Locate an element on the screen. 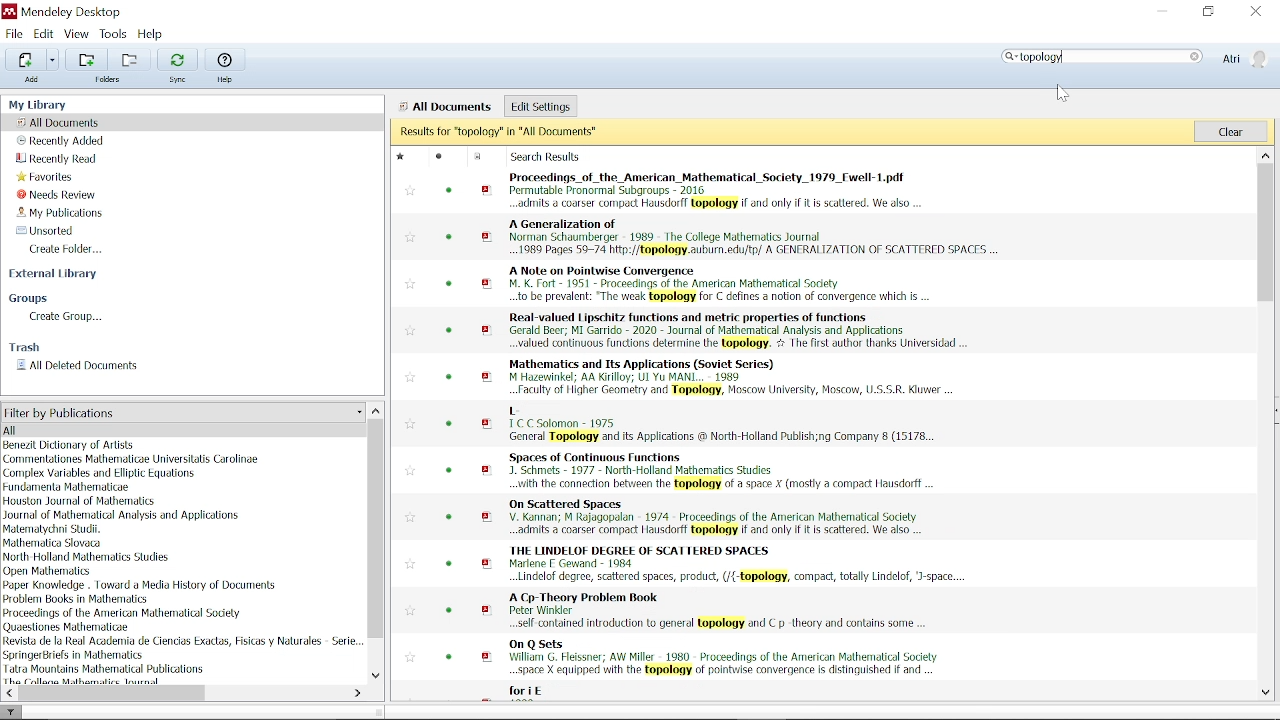  author is located at coordinates (141, 586).